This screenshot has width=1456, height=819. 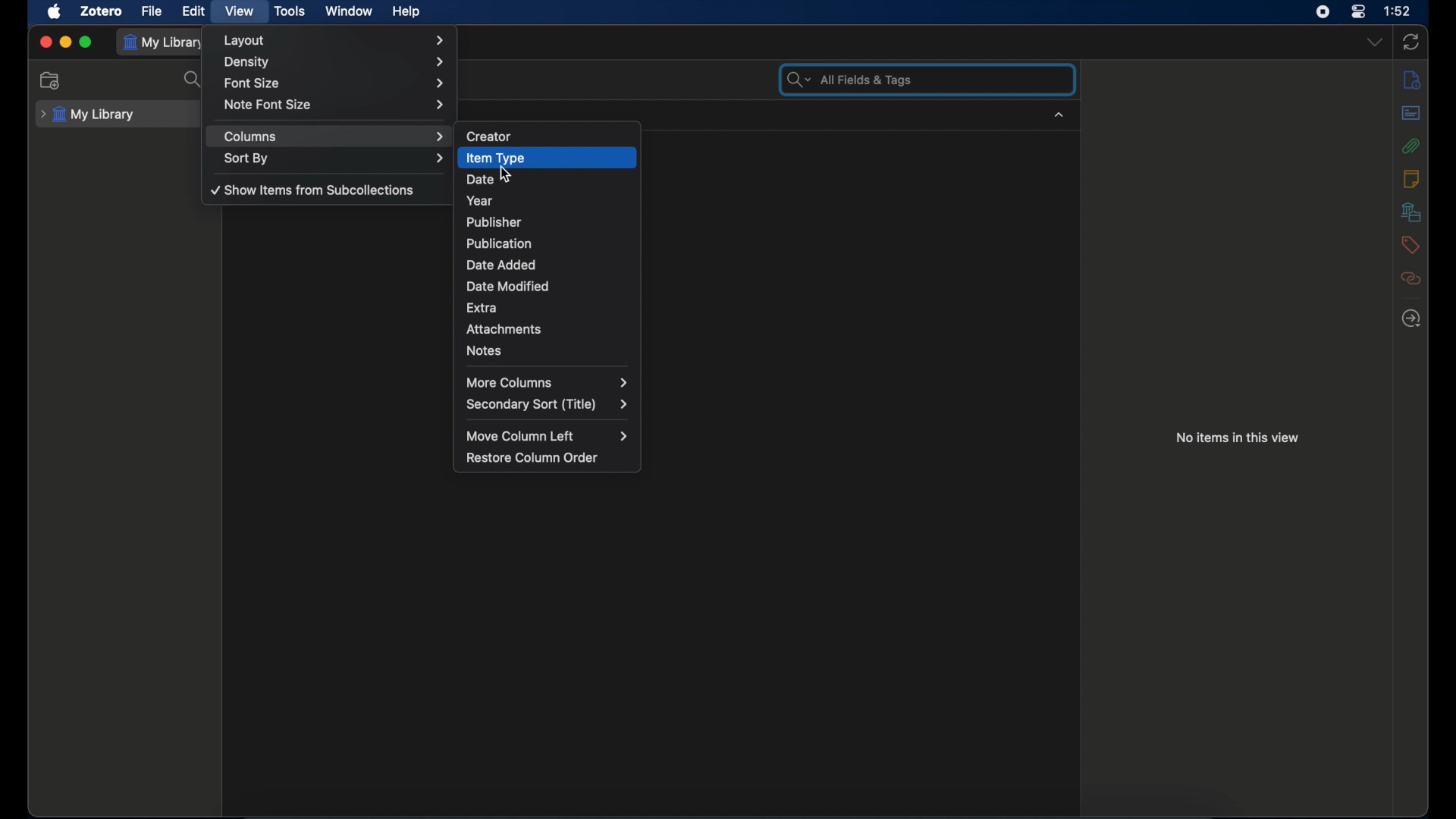 What do you see at coordinates (481, 201) in the screenshot?
I see `year` at bounding box center [481, 201].